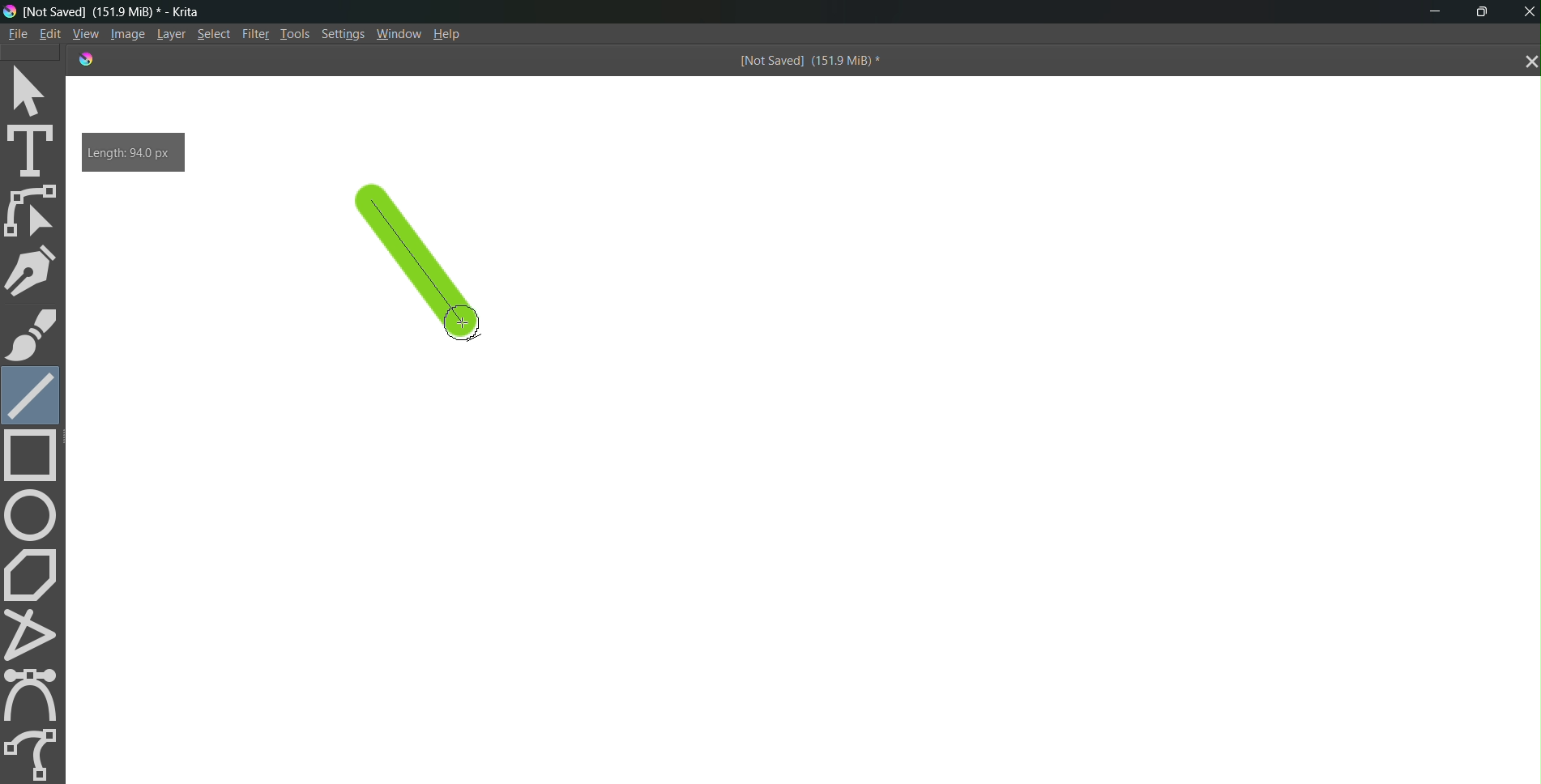 This screenshot has height=784, width=1541. What do you see at coordinates (1526, 62) in the screenshot?
I see `close tab` at bounding box center [1526, 62].